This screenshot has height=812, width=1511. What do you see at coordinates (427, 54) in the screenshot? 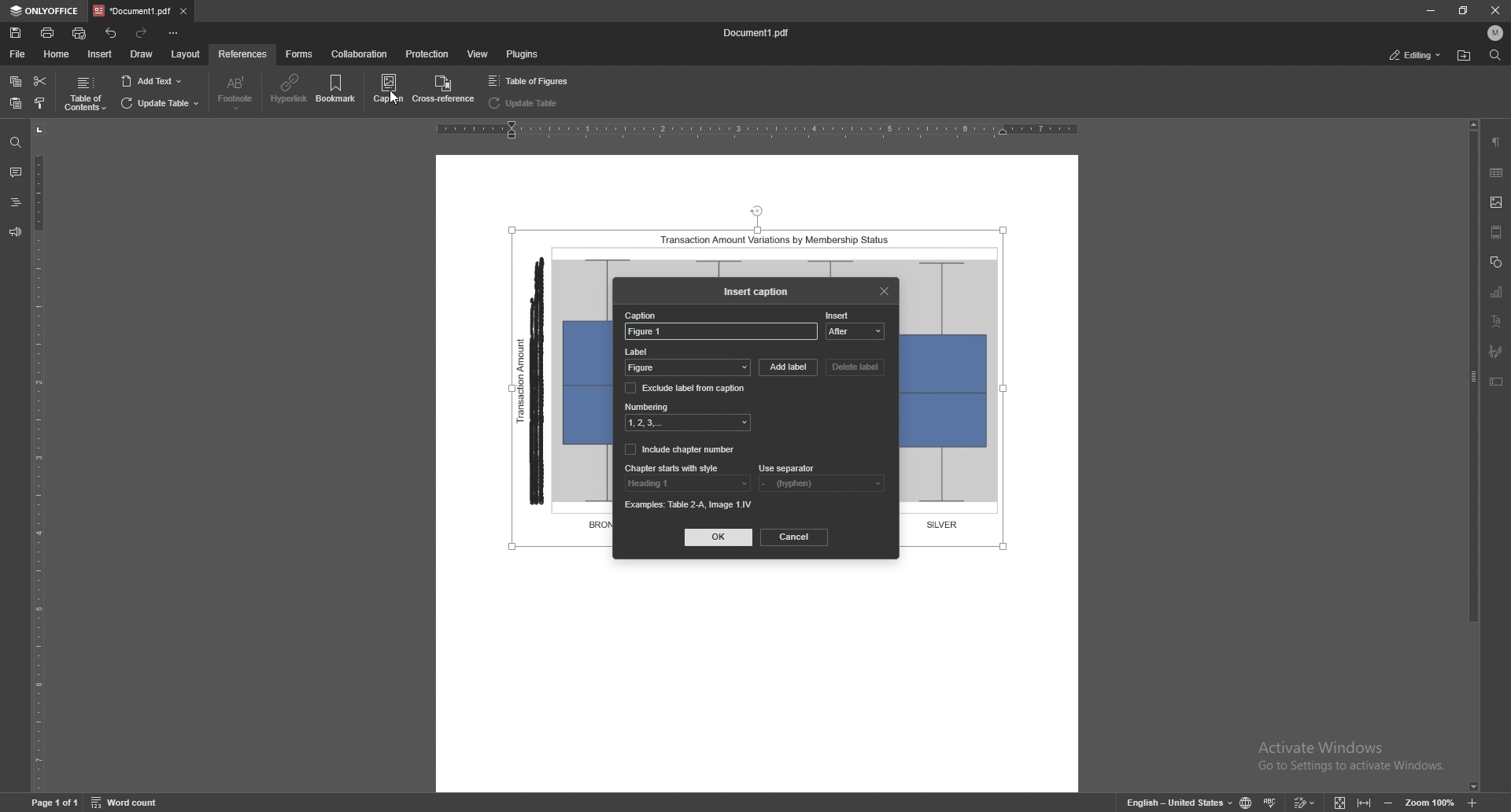
I see `protection` at bounding box center [427, 54].